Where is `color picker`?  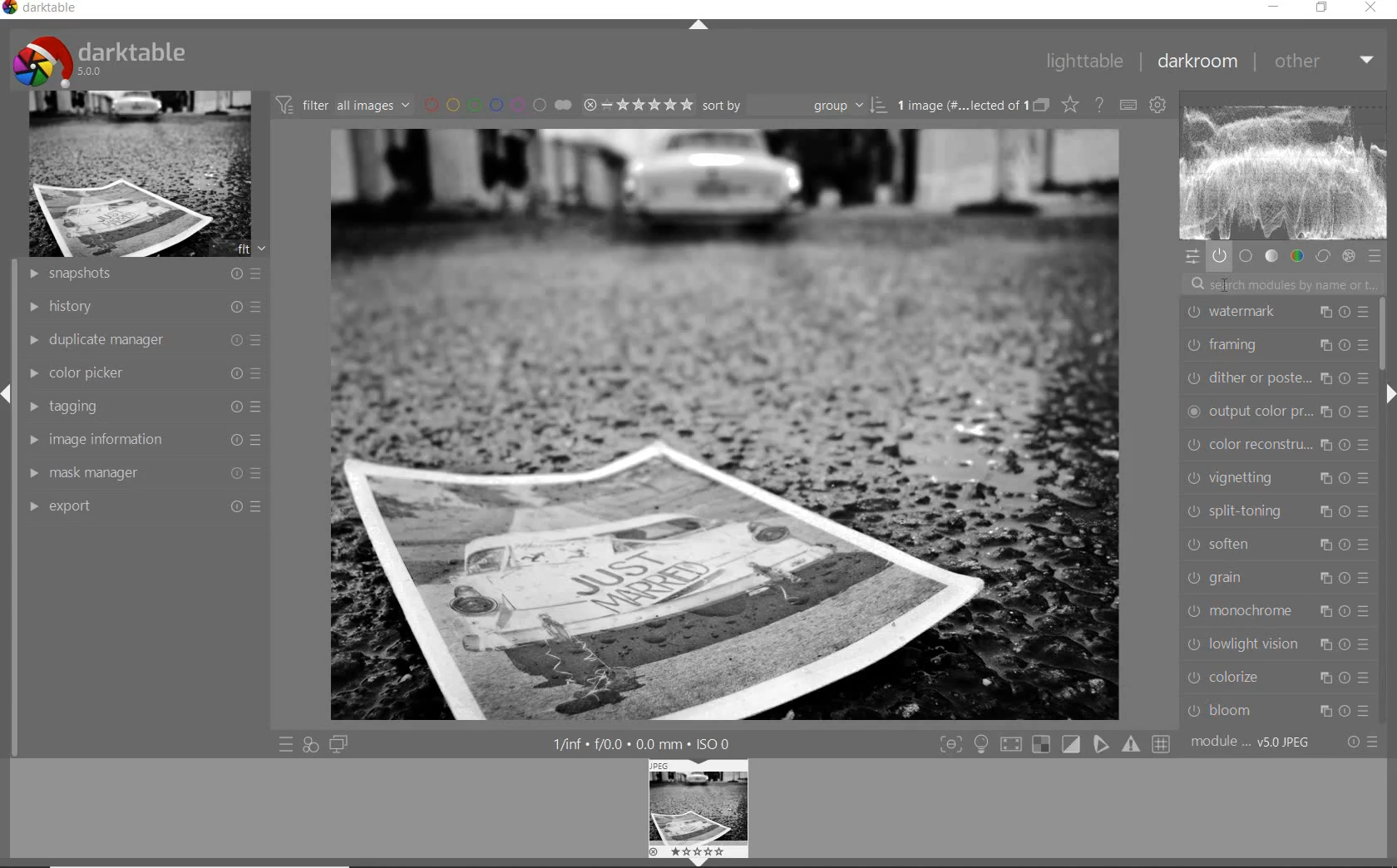
color picker is located at coordinates (146, 373).